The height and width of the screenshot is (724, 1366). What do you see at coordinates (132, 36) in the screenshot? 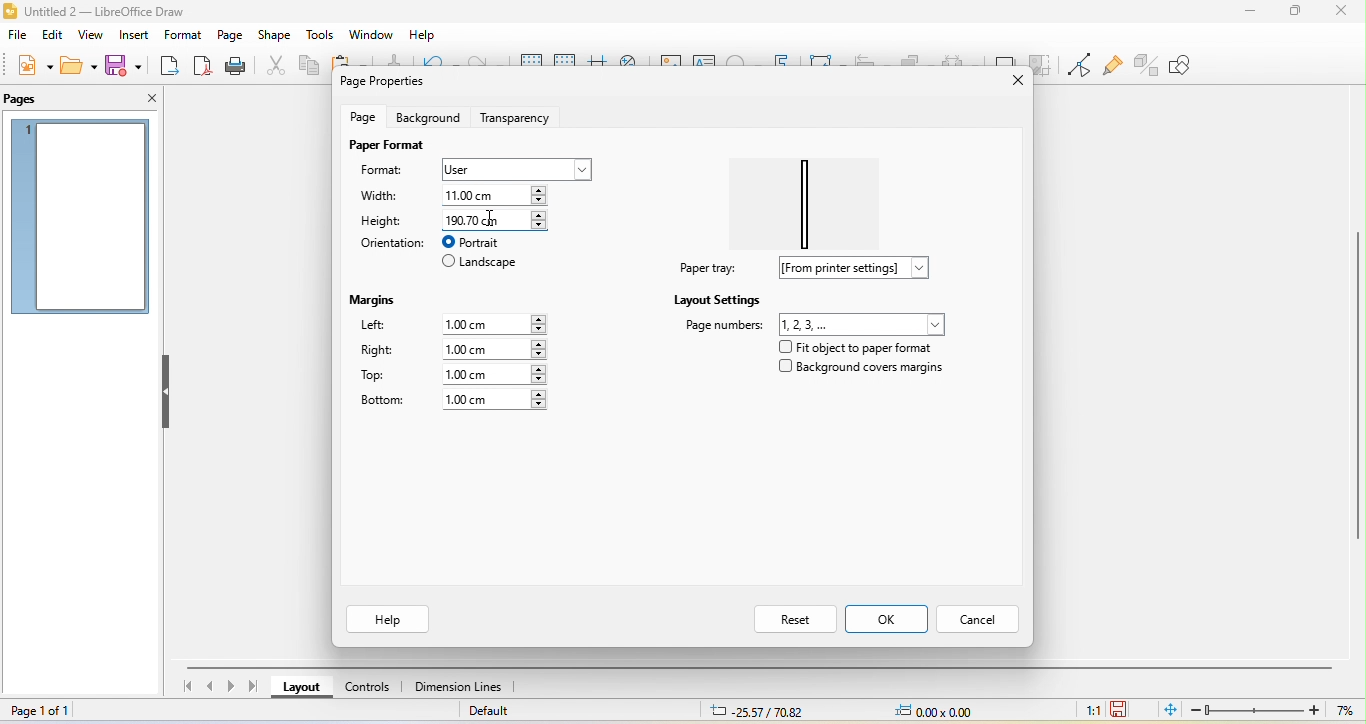
I see `insert` at bounding box center [132, 36].